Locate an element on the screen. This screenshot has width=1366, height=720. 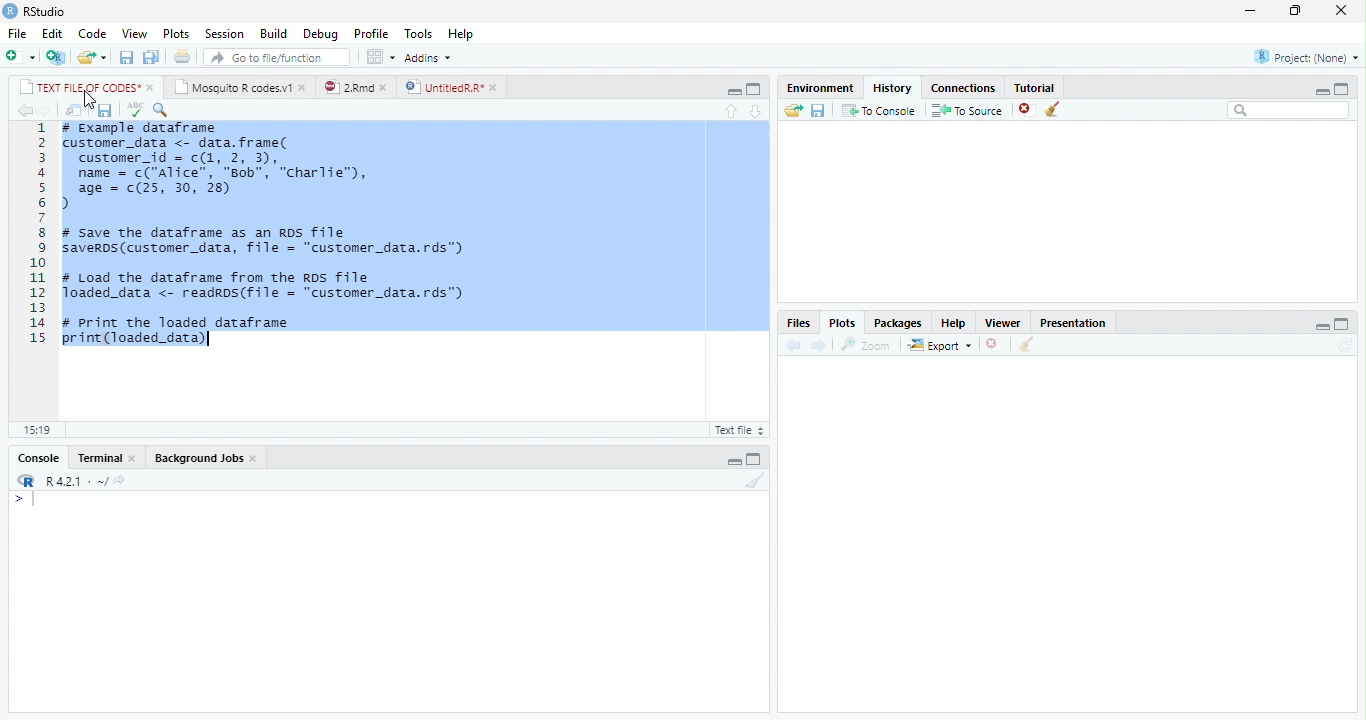
open folder is located at coordinates (794, 110).